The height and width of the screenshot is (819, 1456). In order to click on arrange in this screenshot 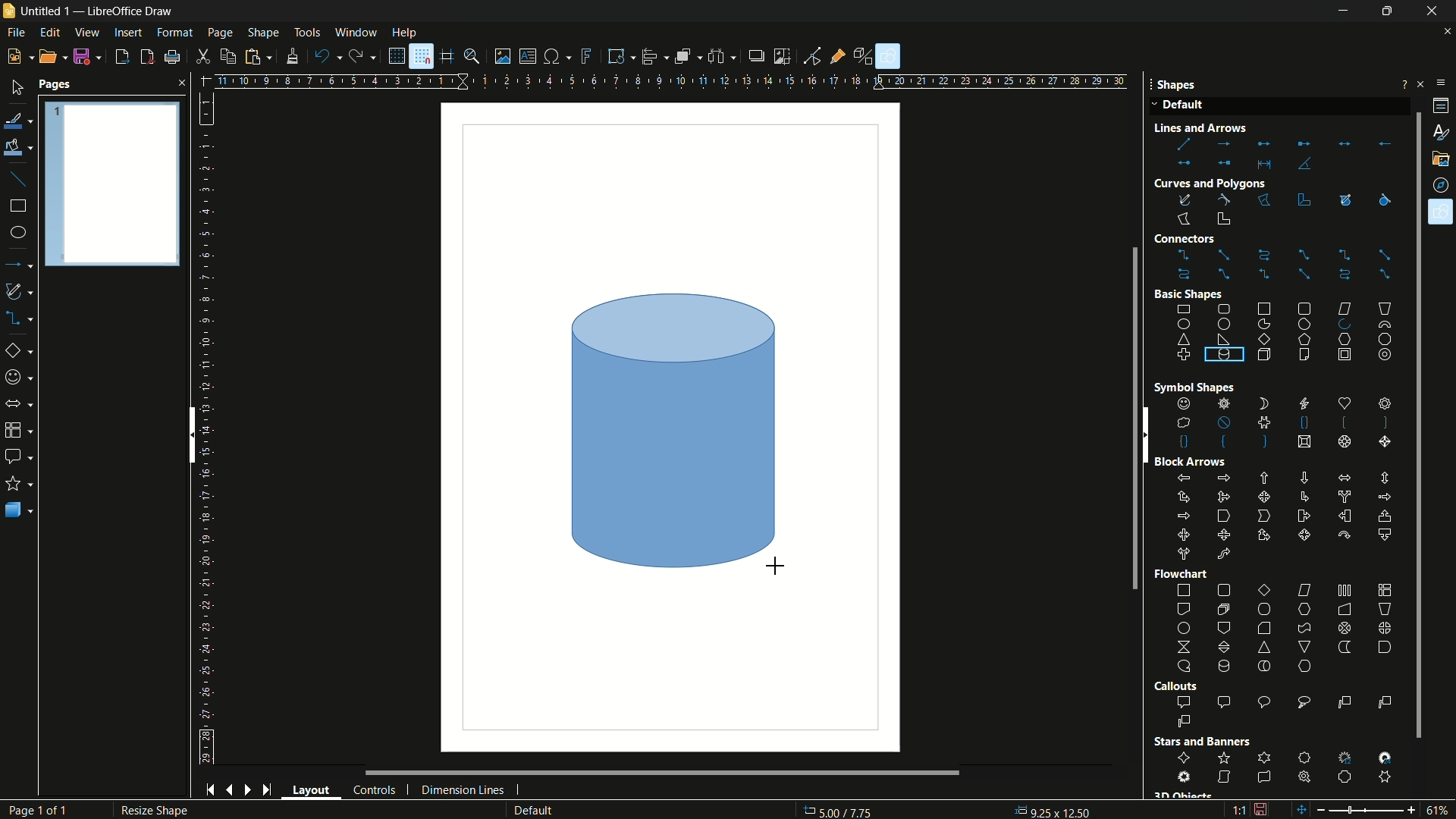, I will do `click(688, 58)`.